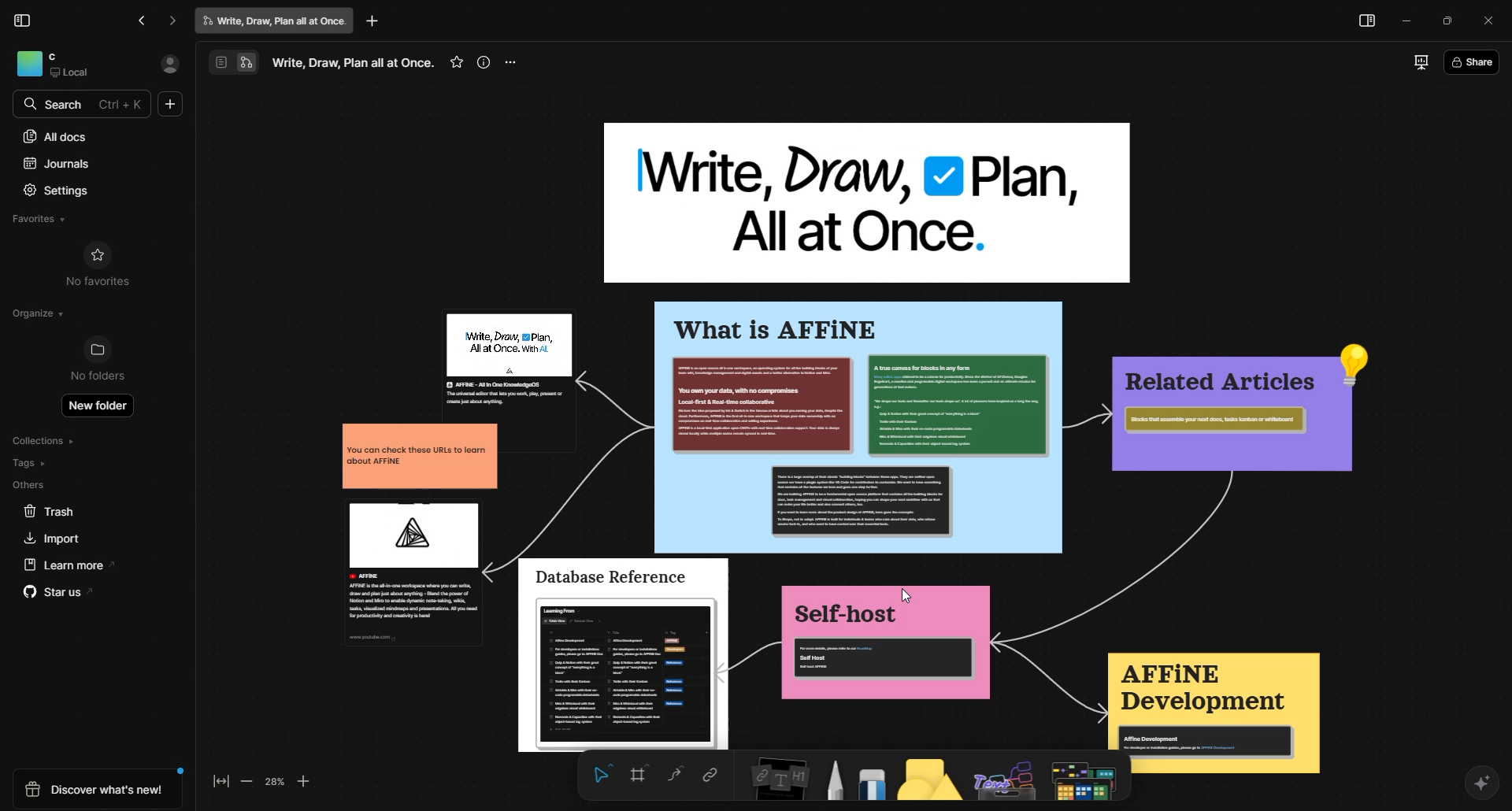 This screenshot has width=1512, height=811. I want to click on Plugins, so click(1006, 783).